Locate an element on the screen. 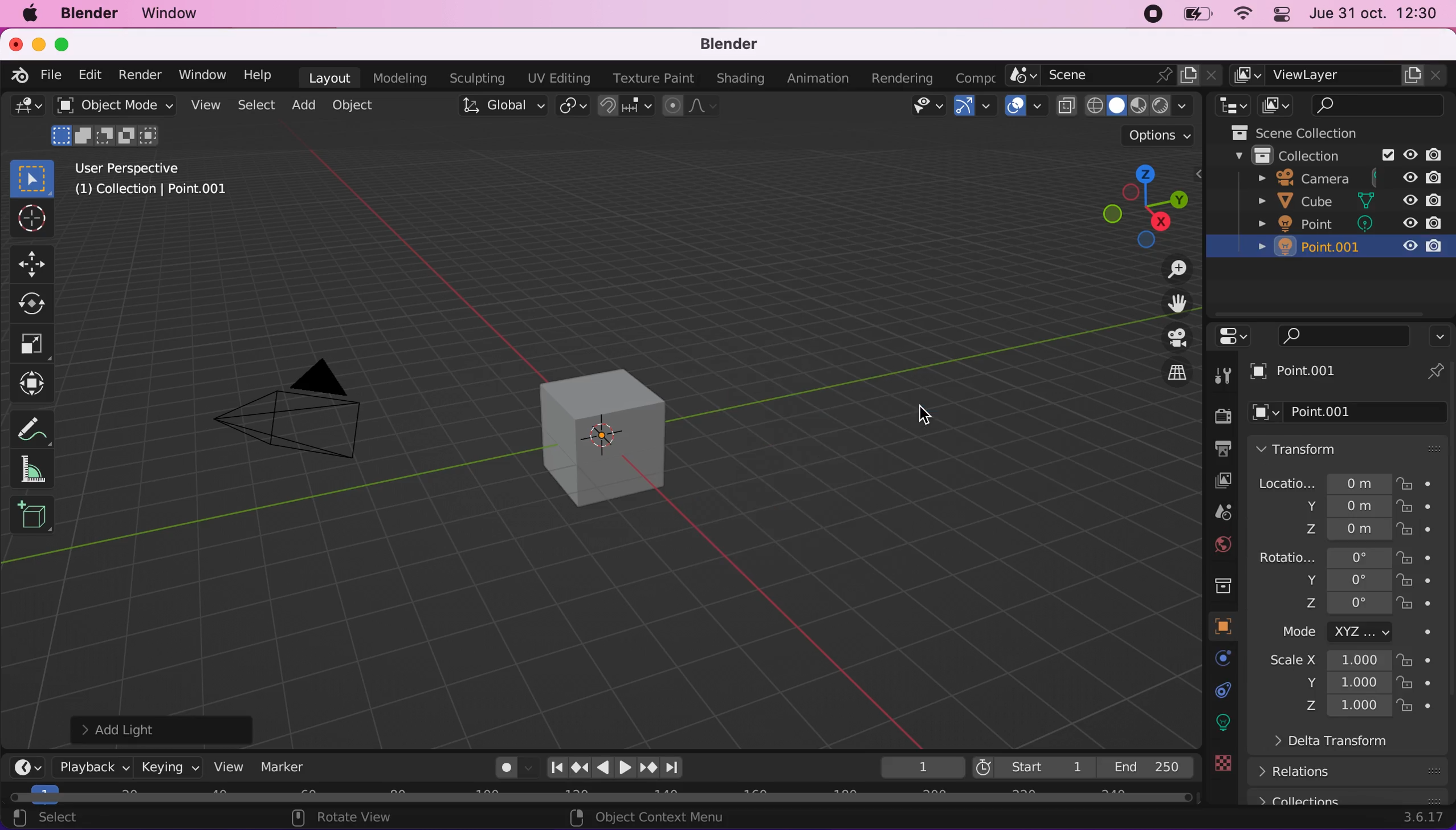 This screenshot has width=1456, height=830. move the view is located at coordinates (1170, 304).